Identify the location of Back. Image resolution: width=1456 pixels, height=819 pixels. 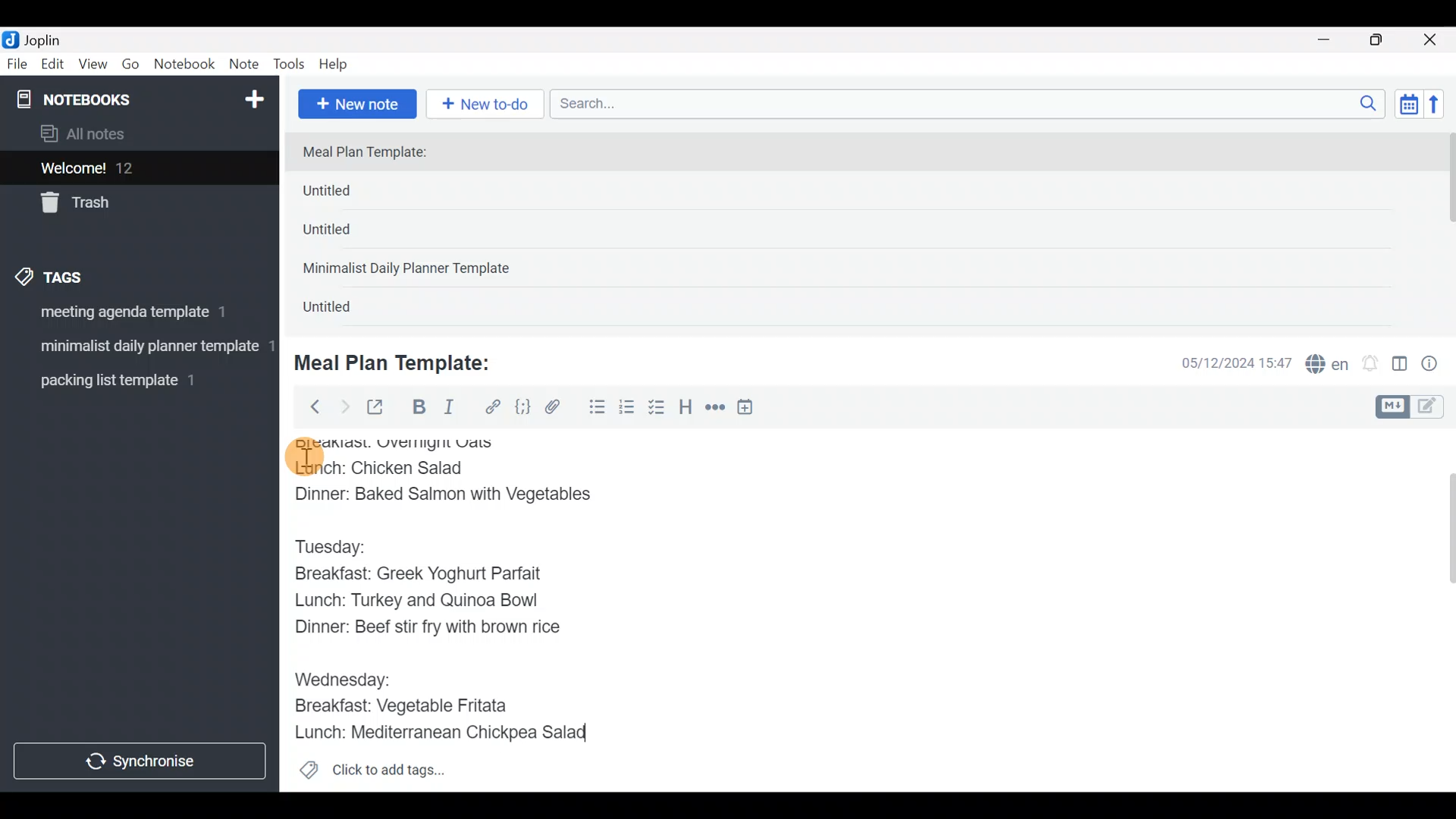
(309, 406).